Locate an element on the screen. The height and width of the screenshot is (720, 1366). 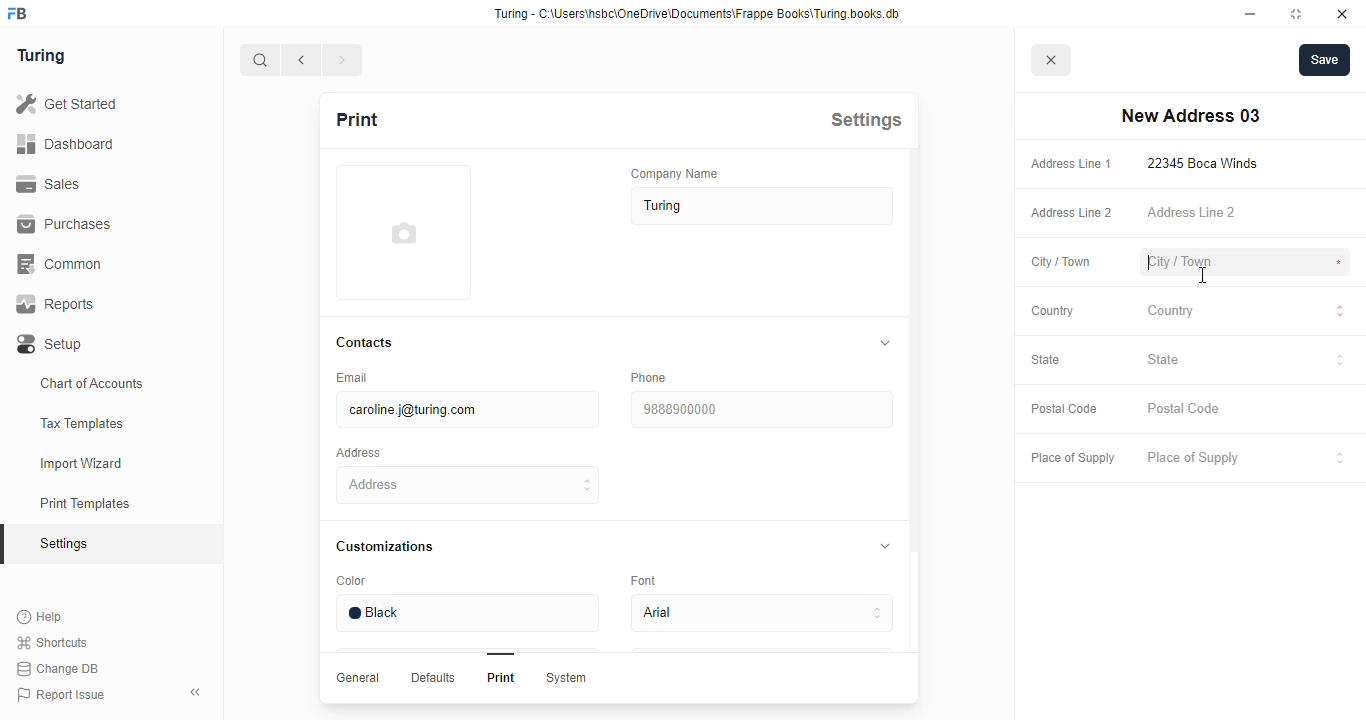
setup is located at coordinates (51, 345).